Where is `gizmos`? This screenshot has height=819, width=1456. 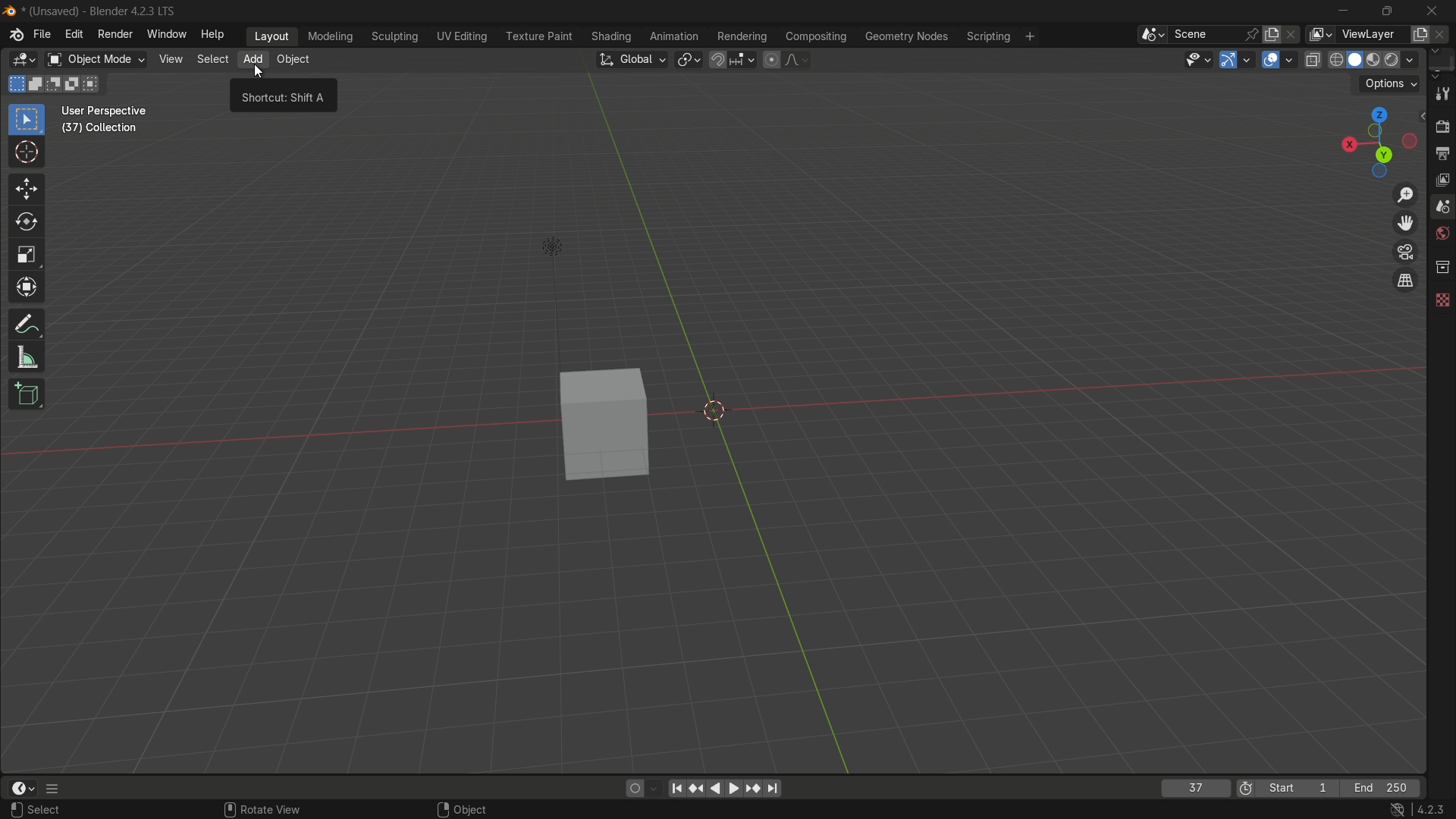 gizmos is located at coordinates (1247, 60).